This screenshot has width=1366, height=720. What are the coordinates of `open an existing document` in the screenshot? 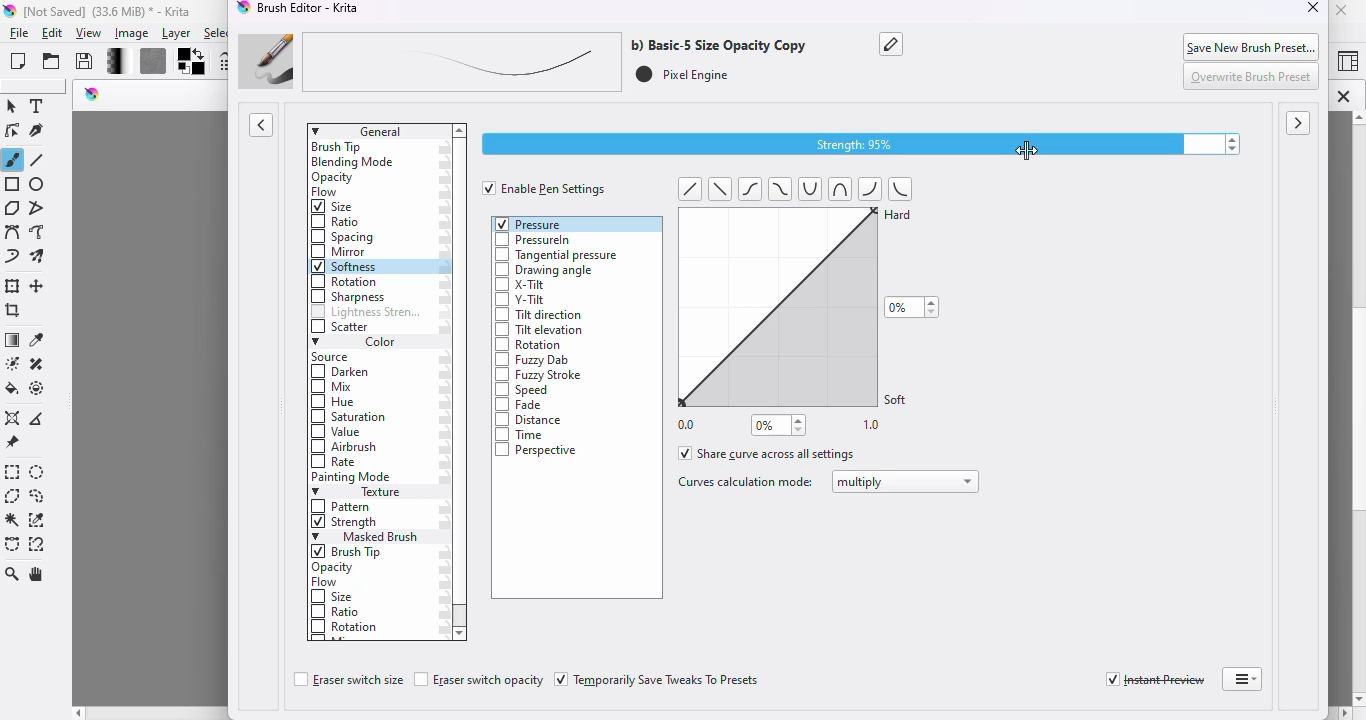 It's located at (52, 61).